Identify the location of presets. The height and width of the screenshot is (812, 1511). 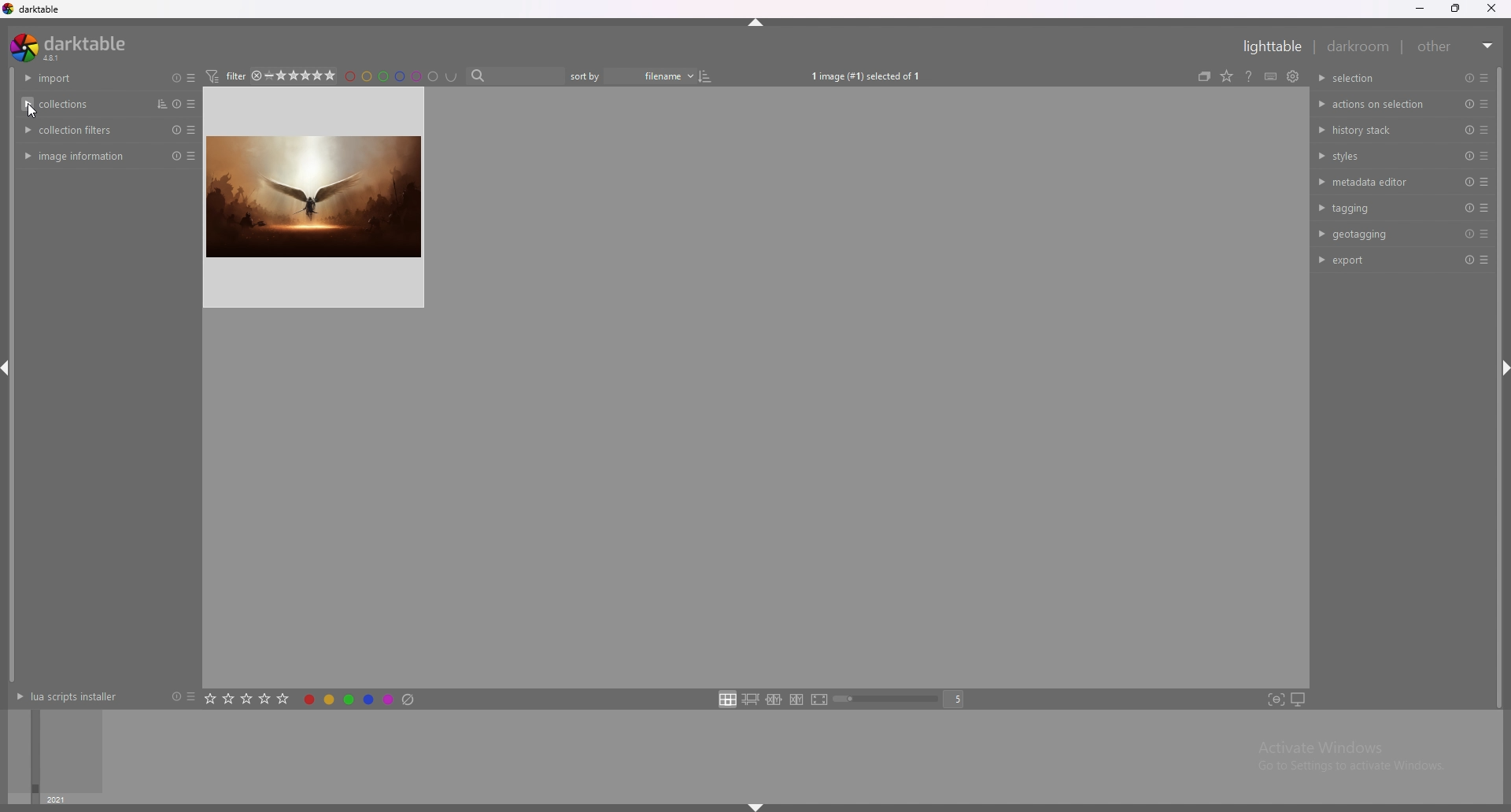
(1482, 78).